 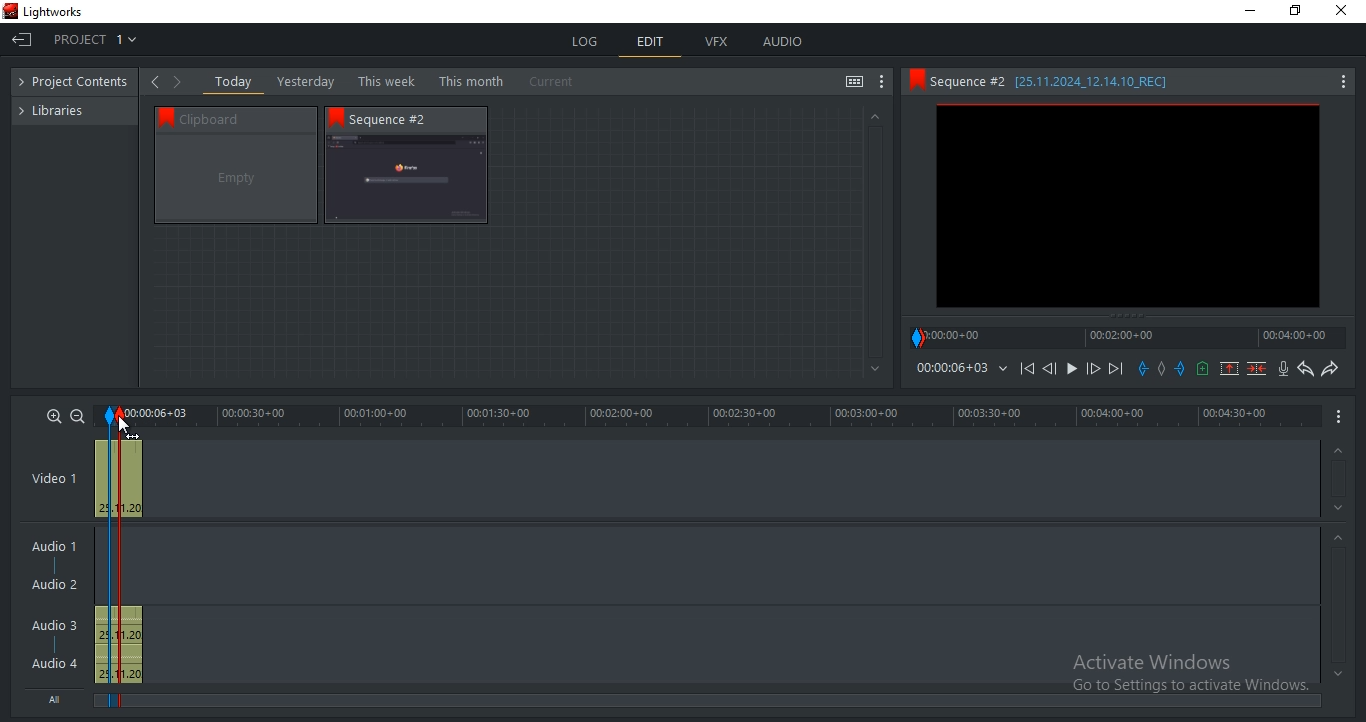 I want to click on Show options to the left, so click(x=154, y=81).